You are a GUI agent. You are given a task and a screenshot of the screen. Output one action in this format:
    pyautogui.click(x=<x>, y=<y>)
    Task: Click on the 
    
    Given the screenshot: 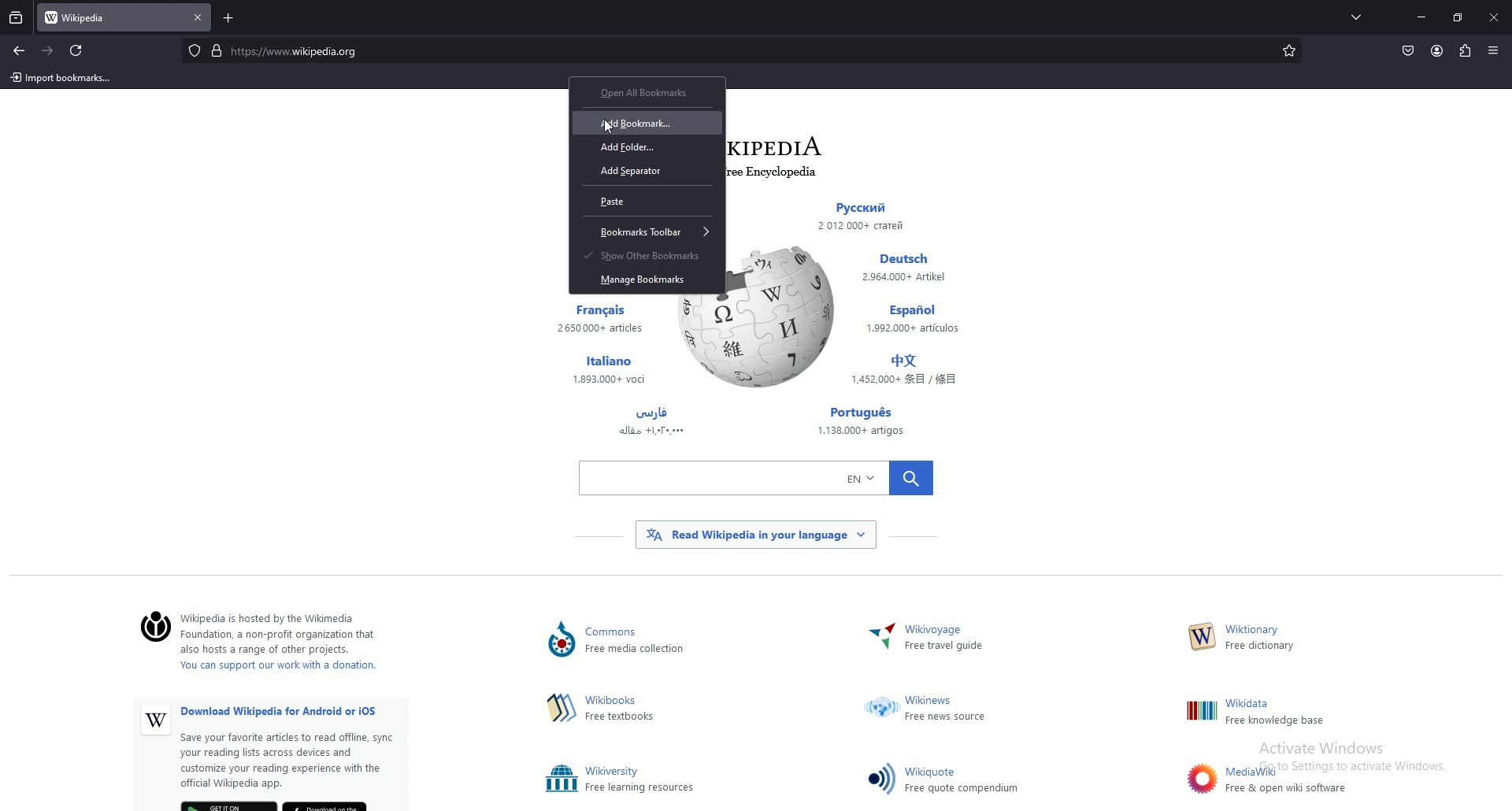 What is the action you would take?
    pyautogui.click(x=880, y=778)
    